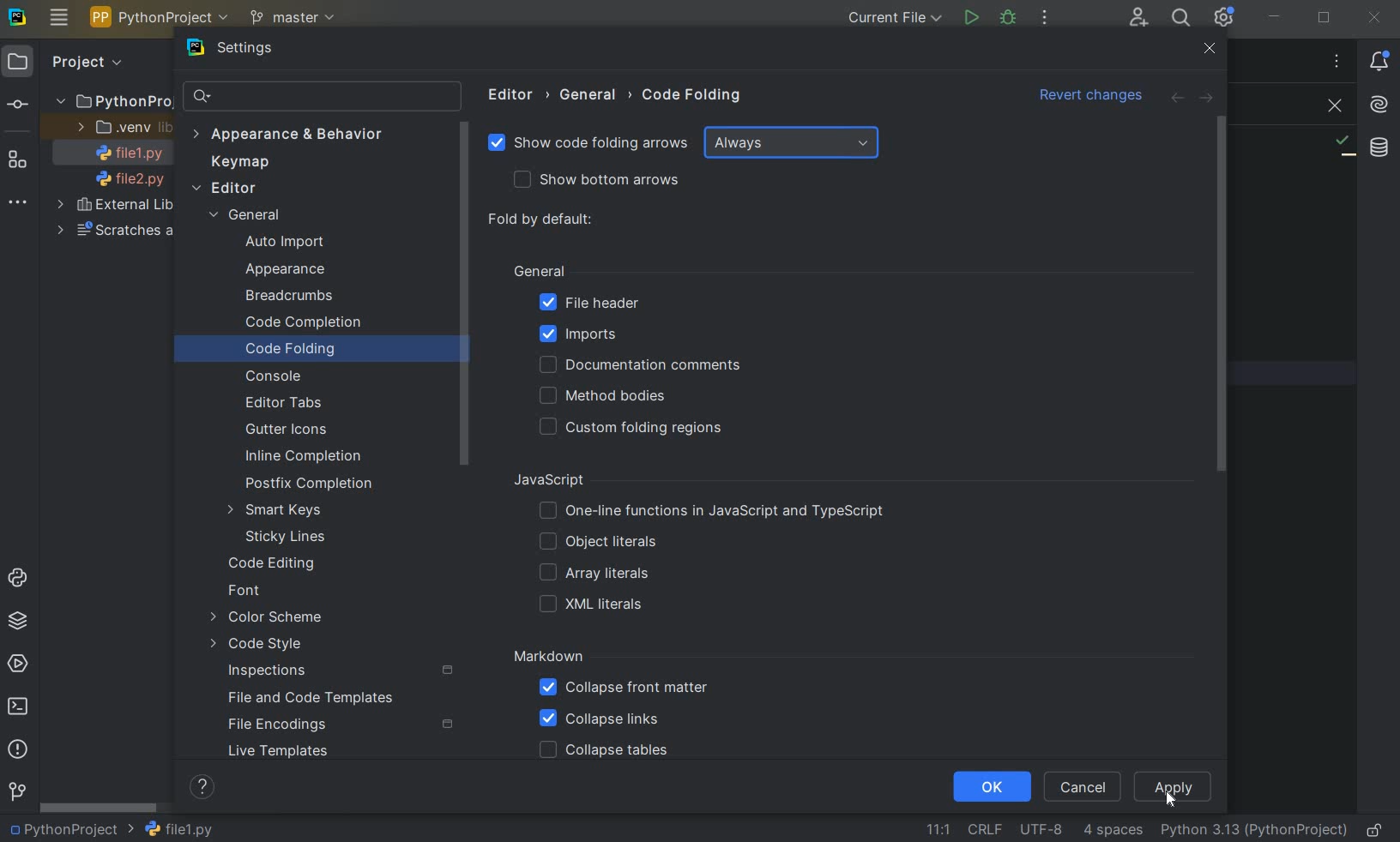 The height and width of the screenshot is (842, 1400). What do you see at coordinates (594, 574) in the screenshot?
I see `ARRAY LITERALS` at bounding box center [594, 574].